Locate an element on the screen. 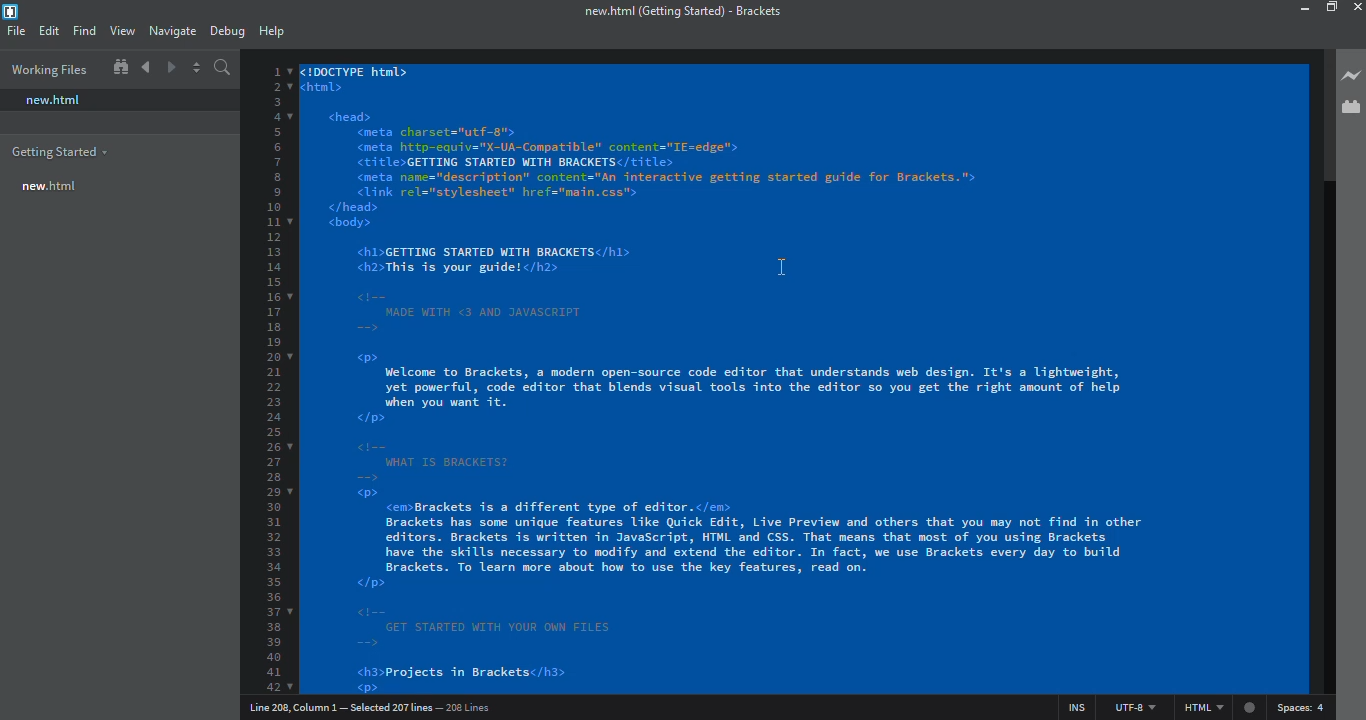  html is located at coordinates (1225, 709).